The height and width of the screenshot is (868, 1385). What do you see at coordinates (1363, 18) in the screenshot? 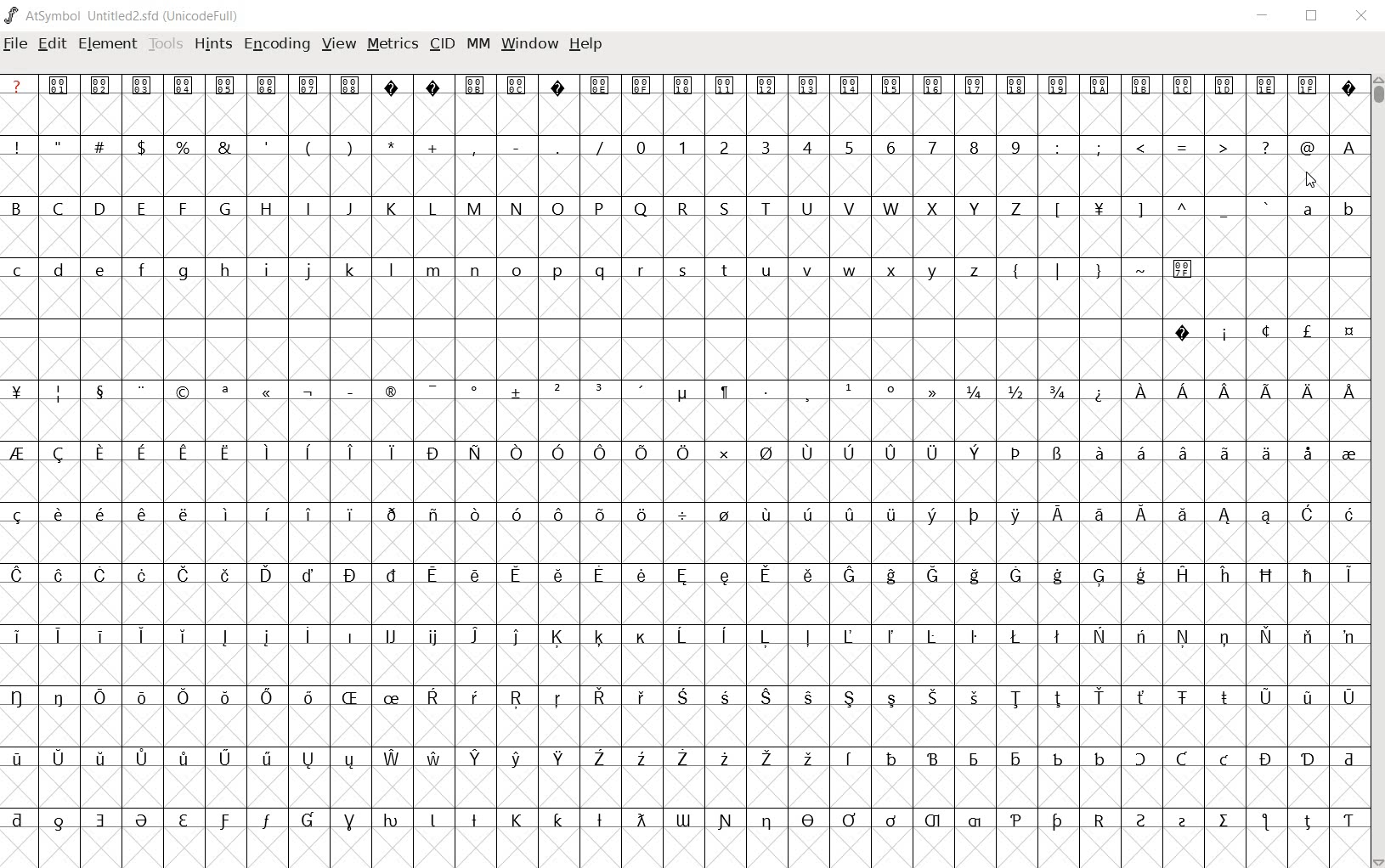
I see `CLOSE` at bounding box center [1363, 18].